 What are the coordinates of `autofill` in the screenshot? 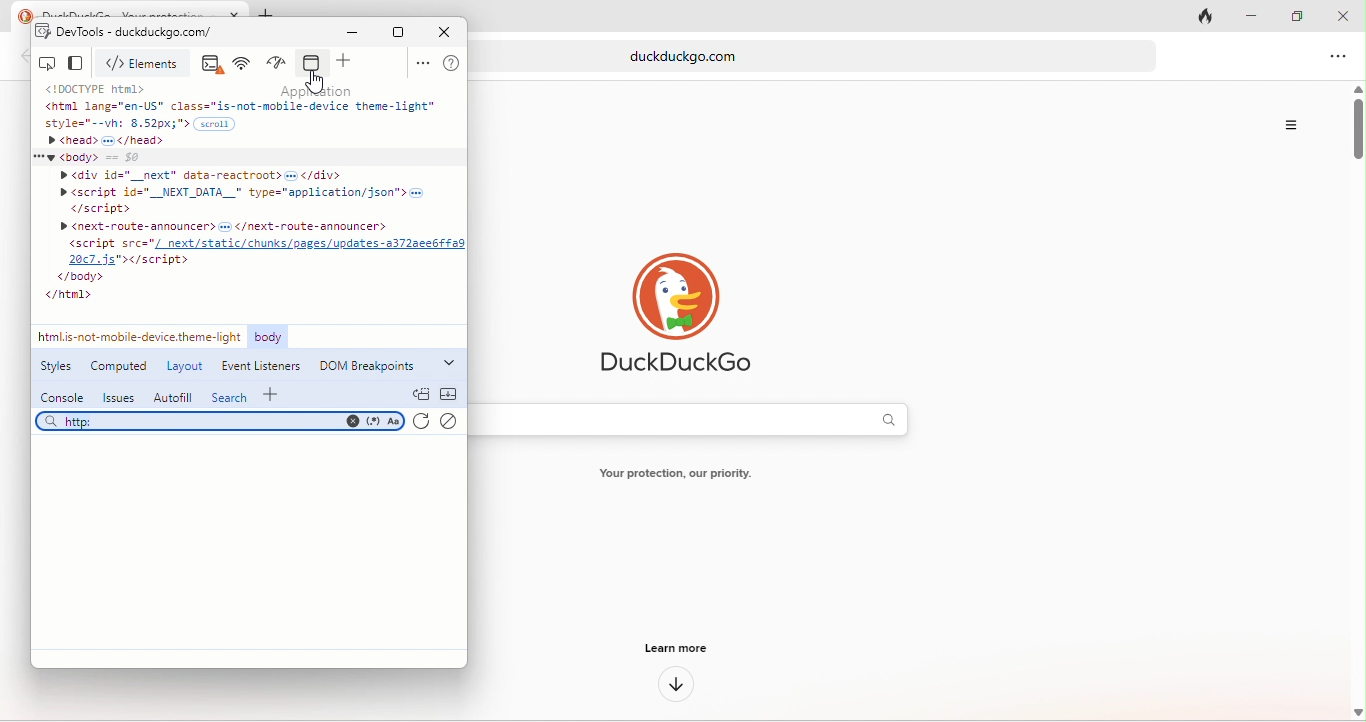 It's located at (170, 397).